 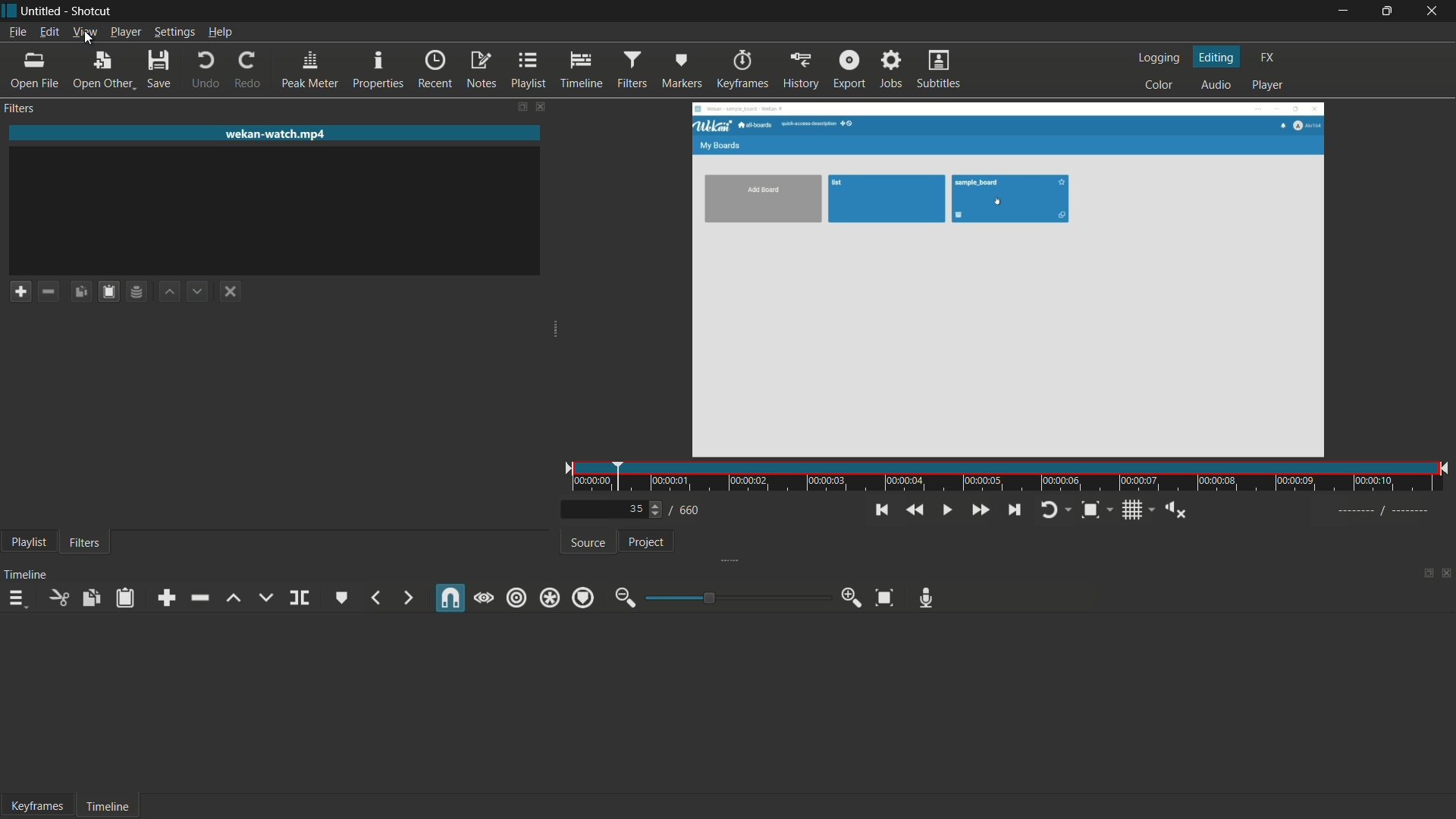 What do you see at coordinates (1134, 512) in the screenshot?
I see `toggle grid` at bounding box center [1134, 512].